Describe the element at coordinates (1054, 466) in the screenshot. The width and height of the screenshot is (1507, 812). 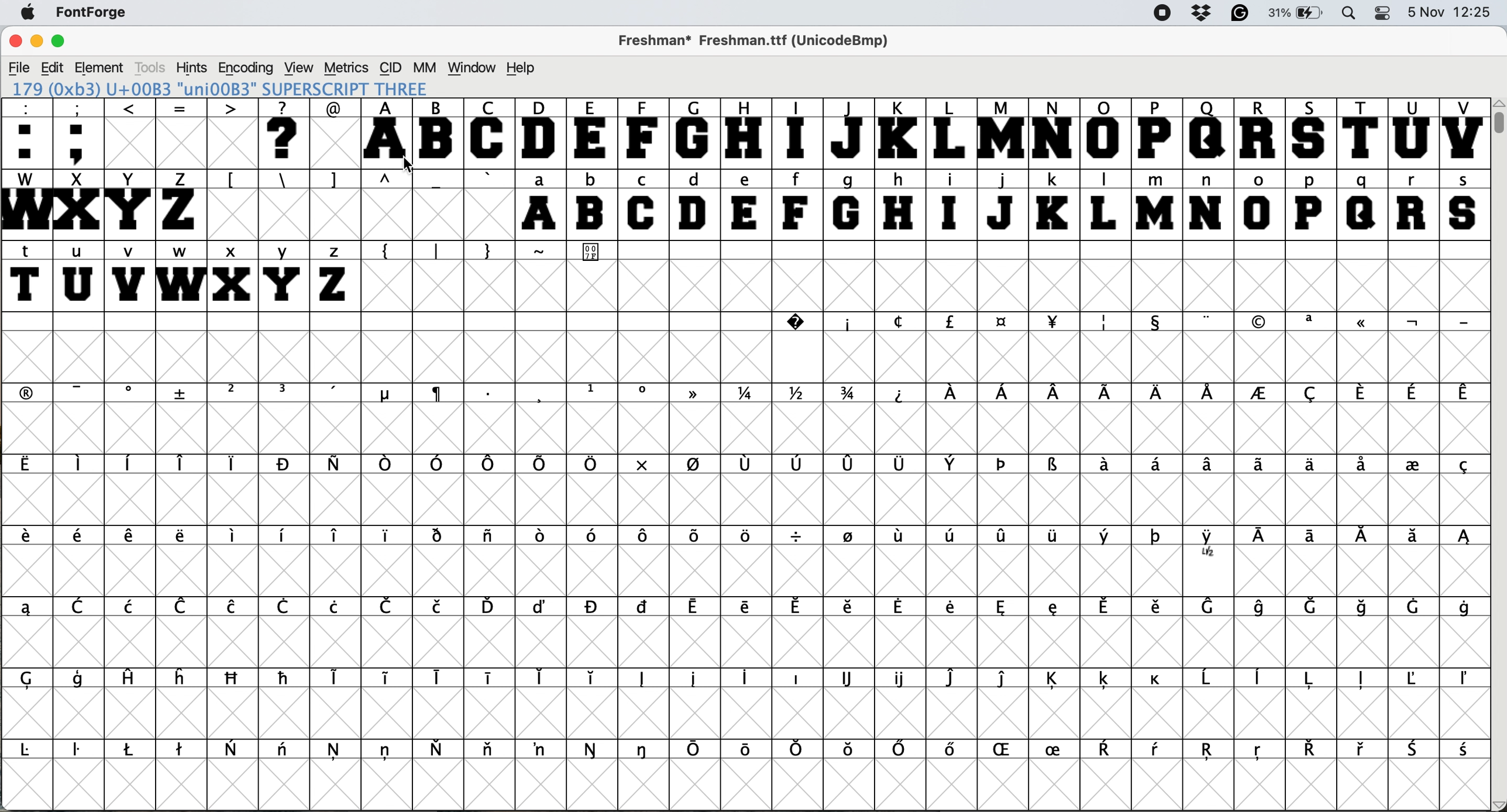
I see `symbol` at that location.